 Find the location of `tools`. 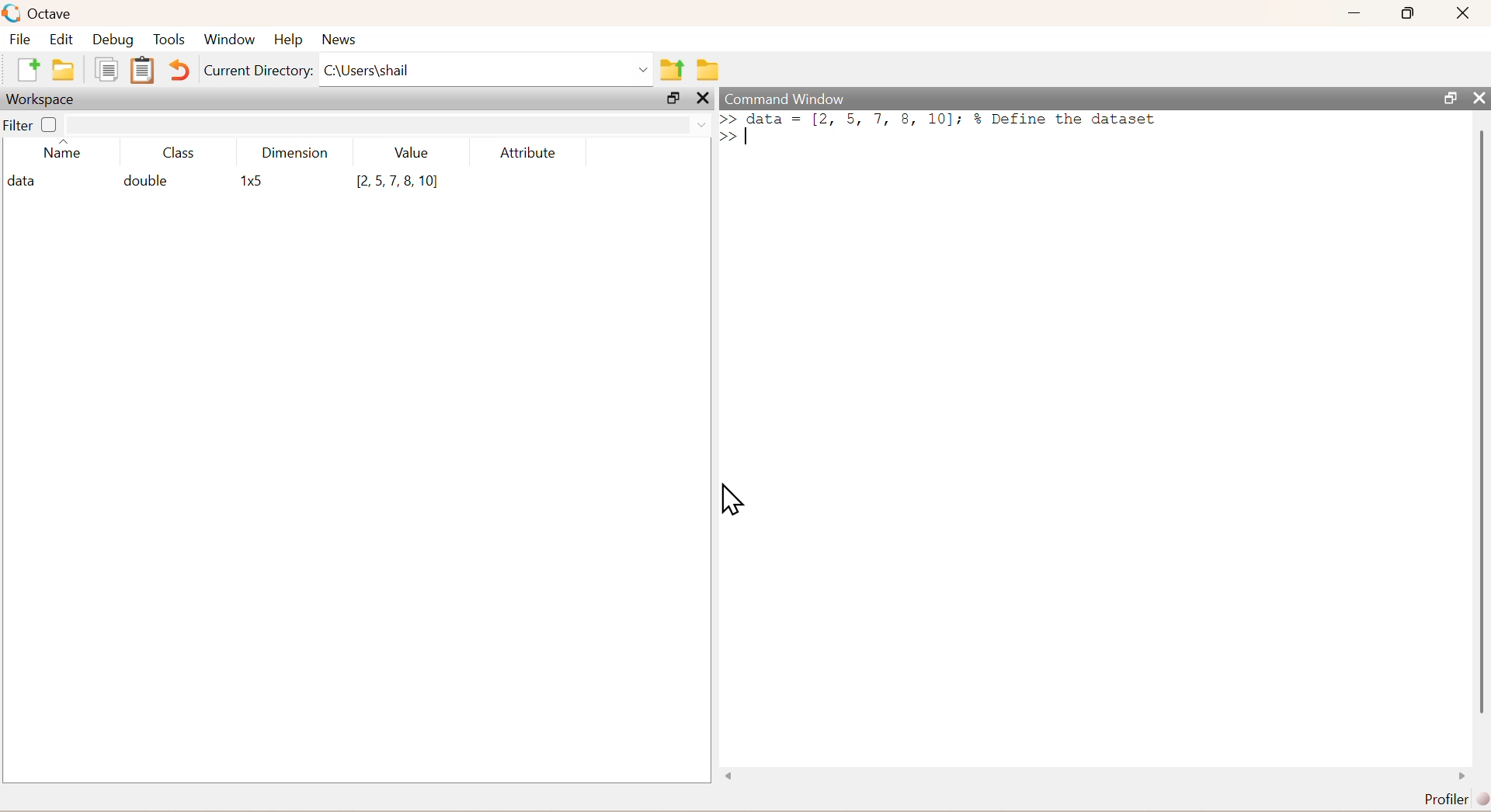

tools is located at coordinates (171, 39).